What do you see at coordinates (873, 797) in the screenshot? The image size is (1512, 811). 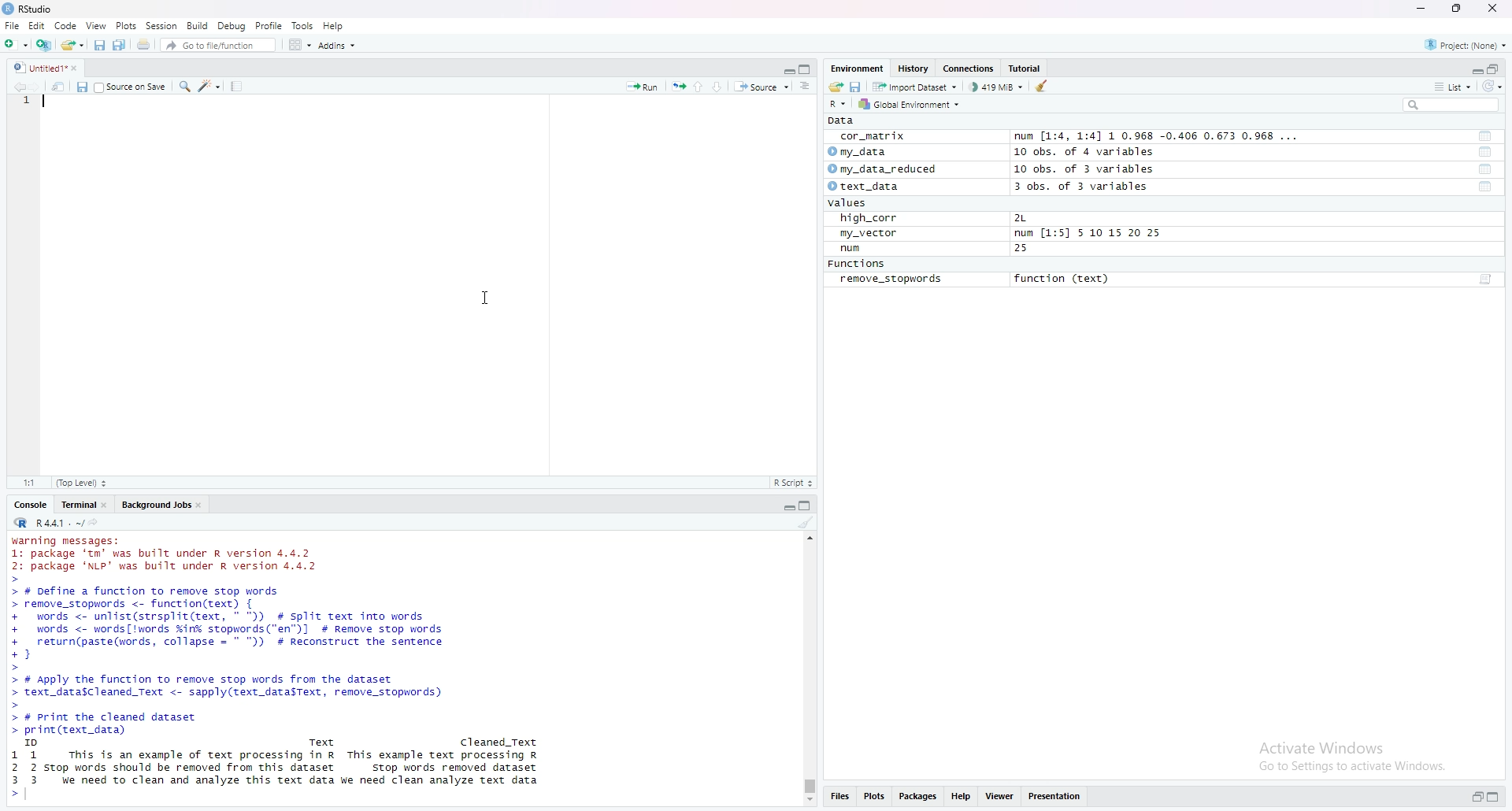 I see `Plots` at bounding box center [873, 797].